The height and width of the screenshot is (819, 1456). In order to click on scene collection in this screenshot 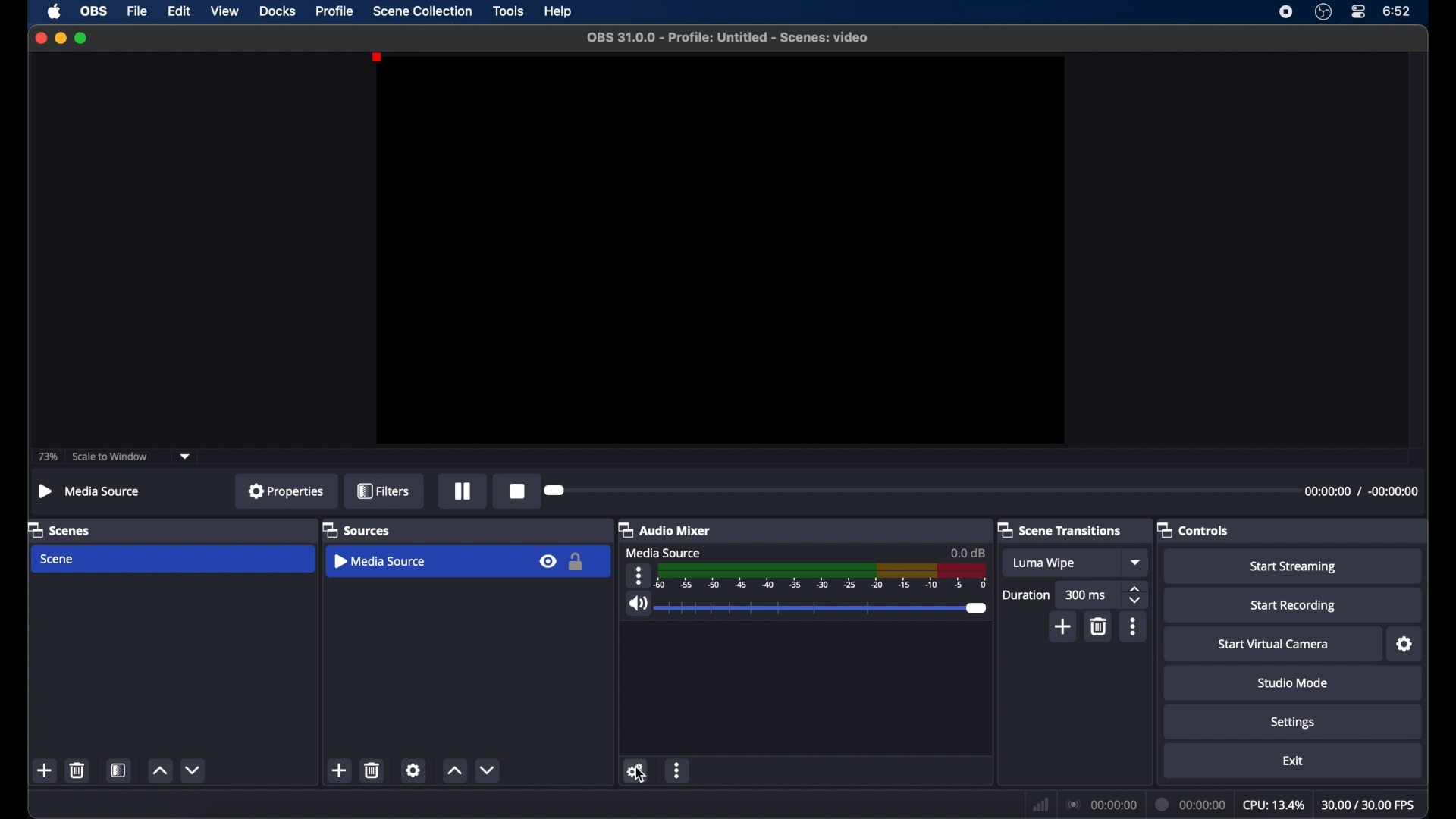, I will do `click(422, 10)`.